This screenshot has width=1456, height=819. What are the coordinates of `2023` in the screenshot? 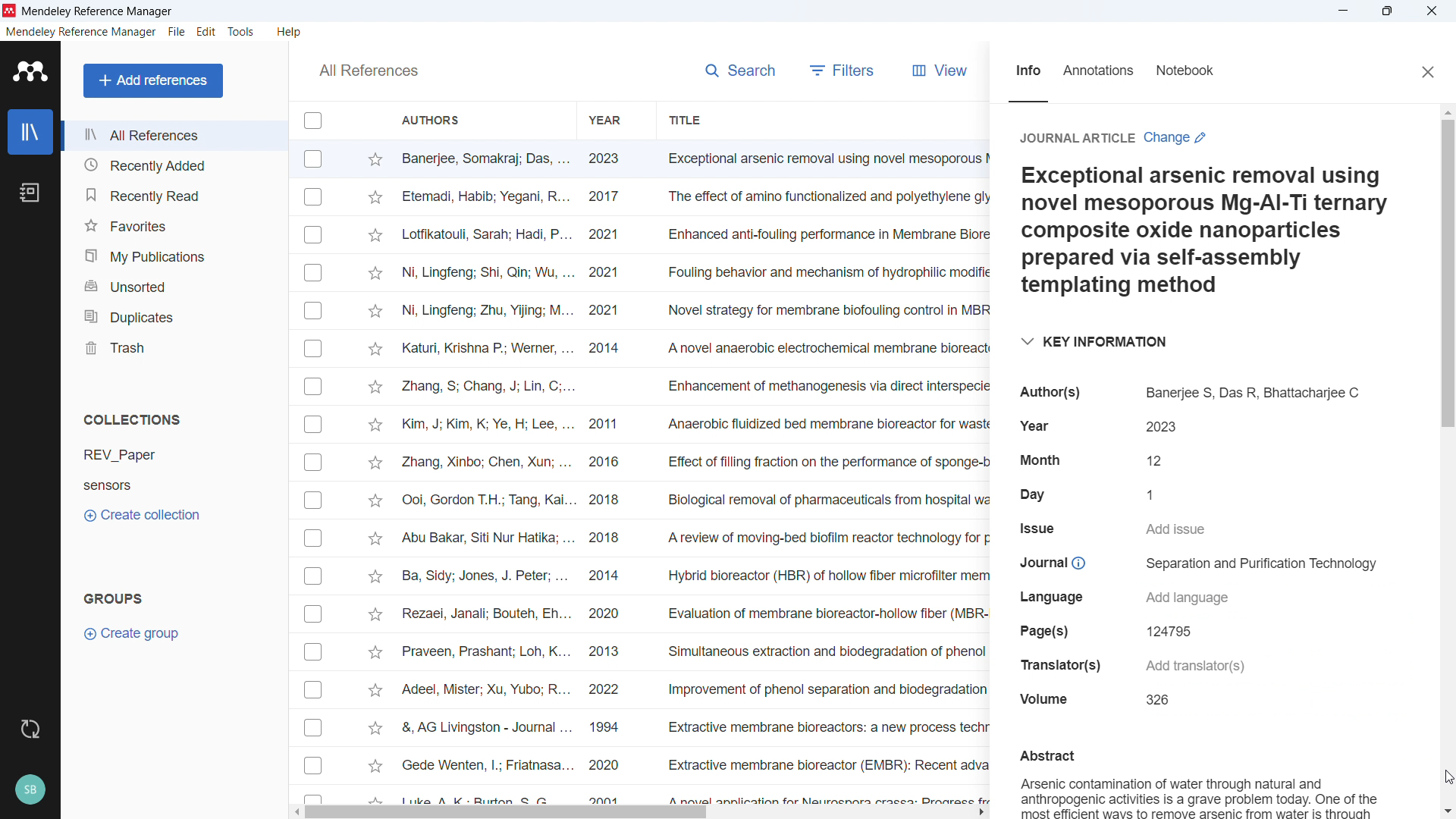 It's located at (607, 161).